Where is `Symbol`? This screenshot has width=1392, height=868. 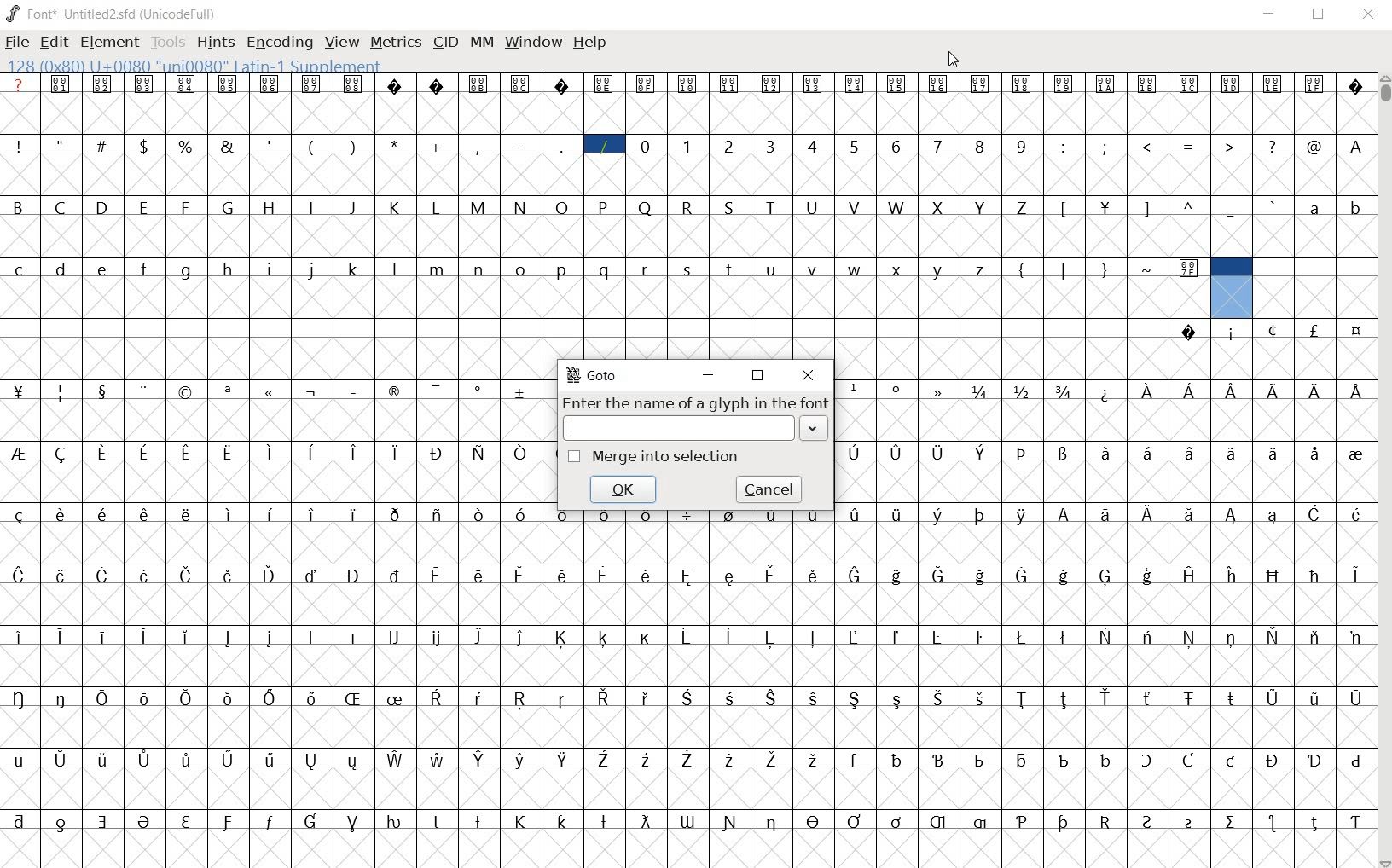
Symbol is located at coordinates (189, 698).